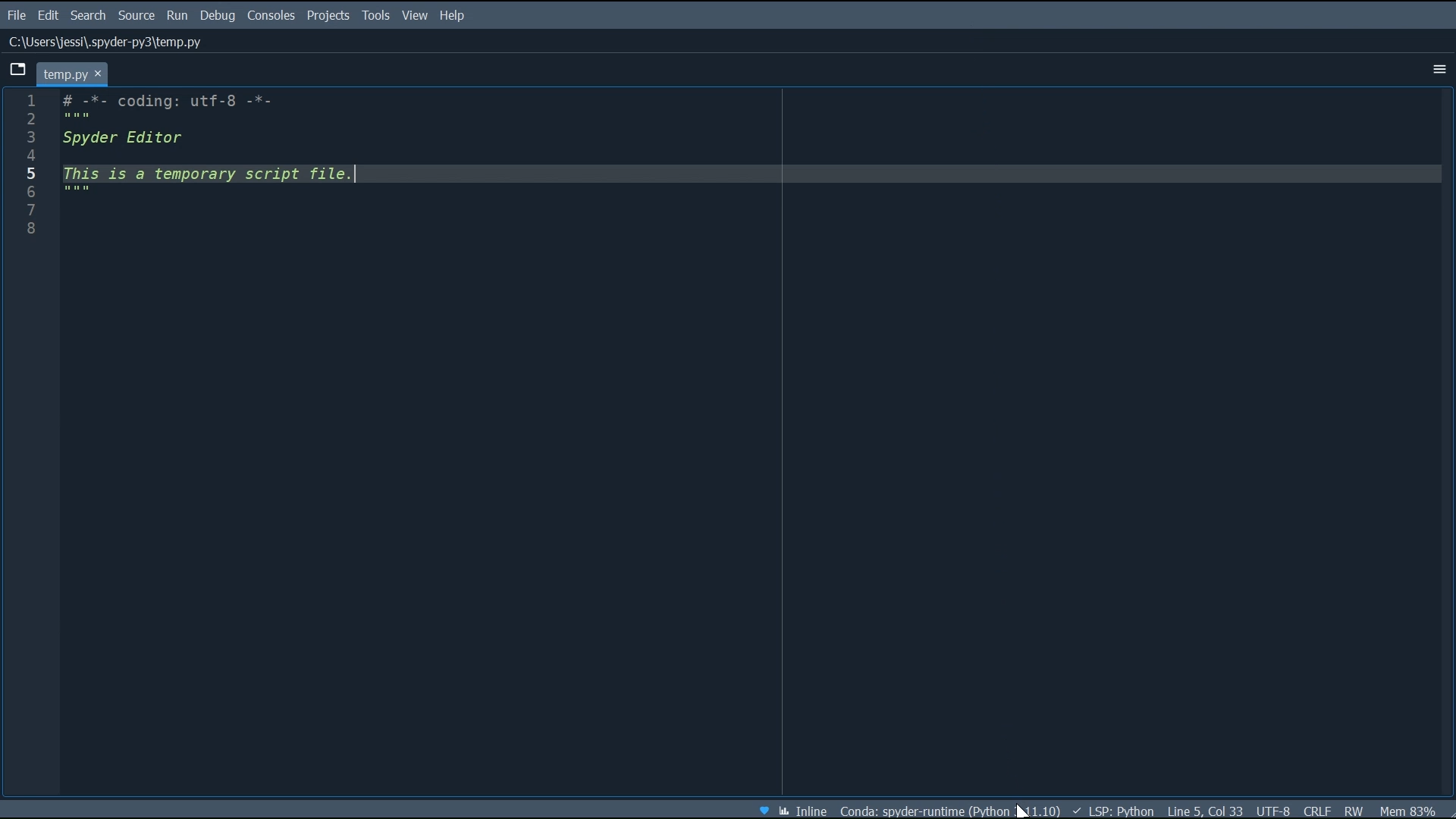  What do you see at coordinates (375, 16) in the screenshot?
I see `Tools` at bounding box center [375, 16].